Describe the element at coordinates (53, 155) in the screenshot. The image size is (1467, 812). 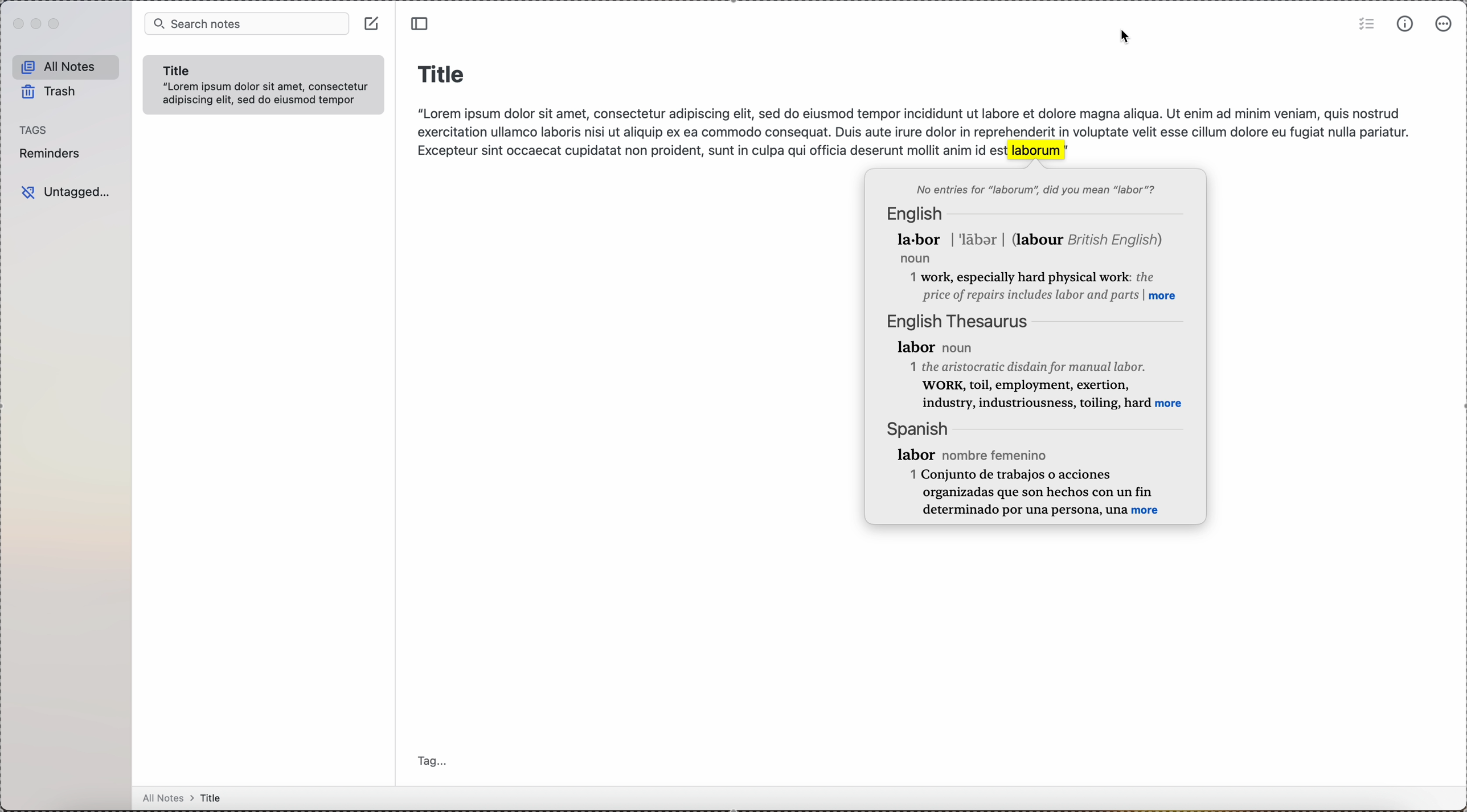
I see `reminders` at that location.